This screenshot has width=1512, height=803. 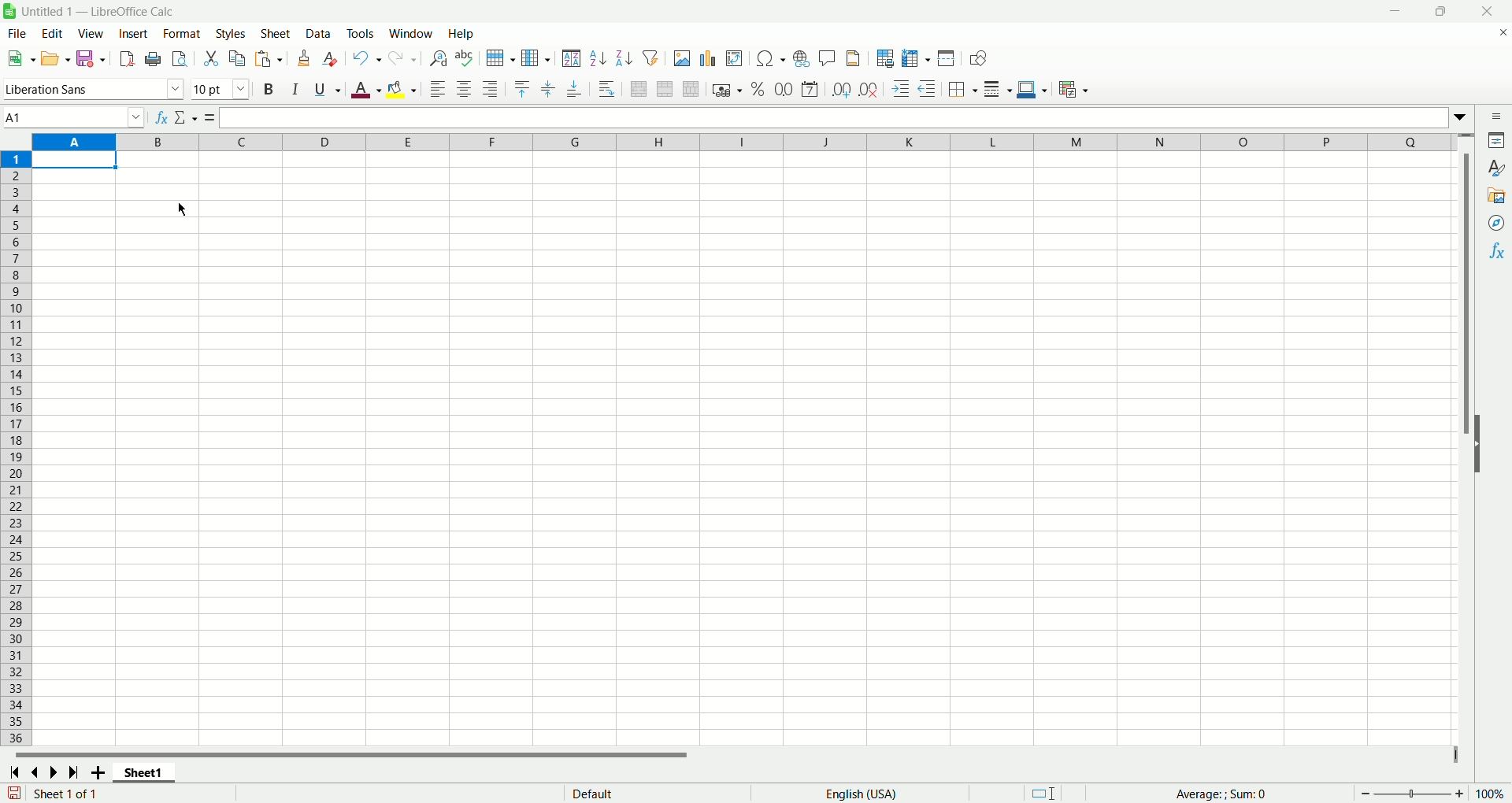 I want to click on header and footer, so click(x=854, y=60).